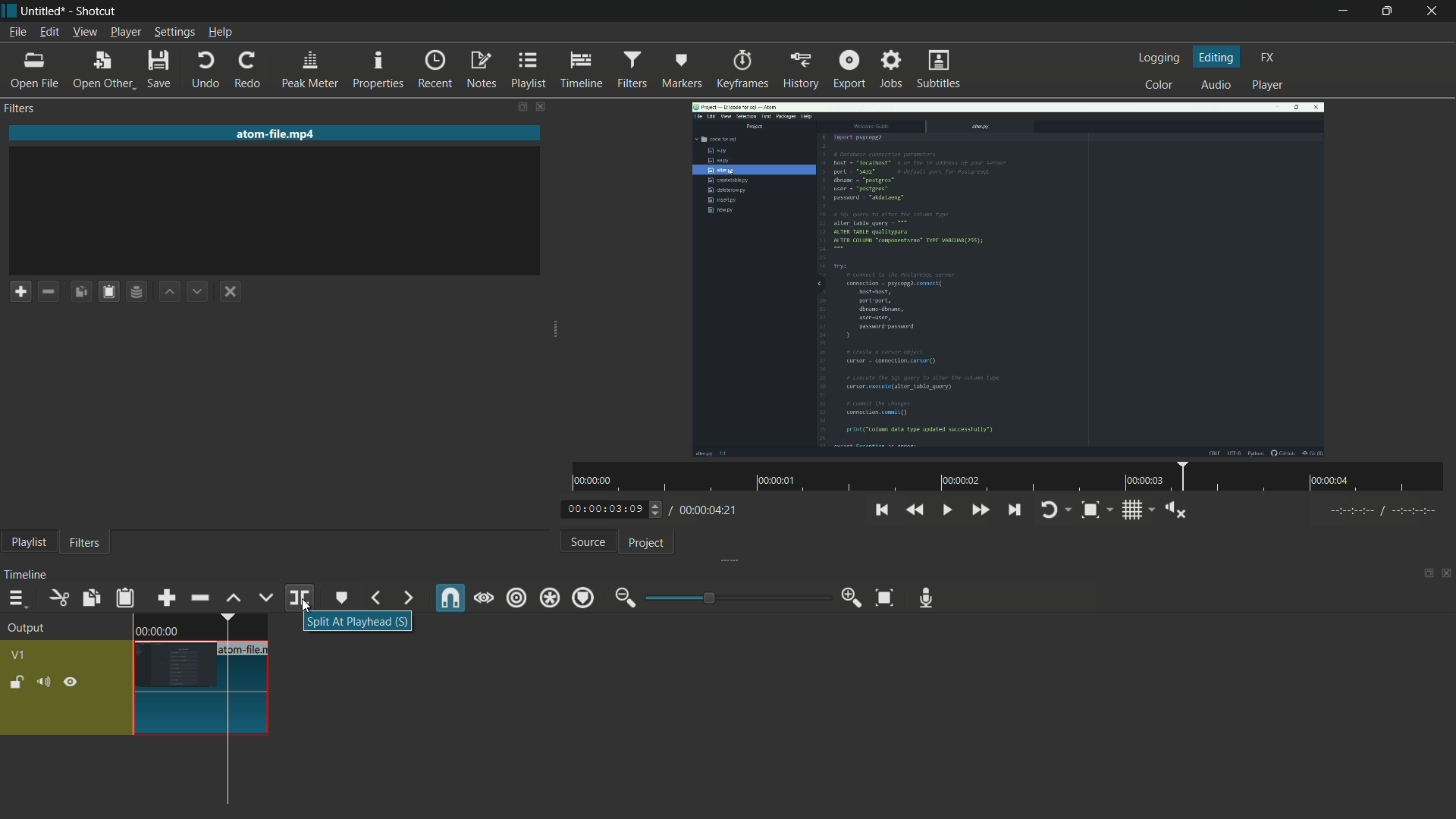 The image size is (1456, 819). What do you see at coordinates (28, 628) in the screenshot?
I see `output` at bounding box center [28, 628].